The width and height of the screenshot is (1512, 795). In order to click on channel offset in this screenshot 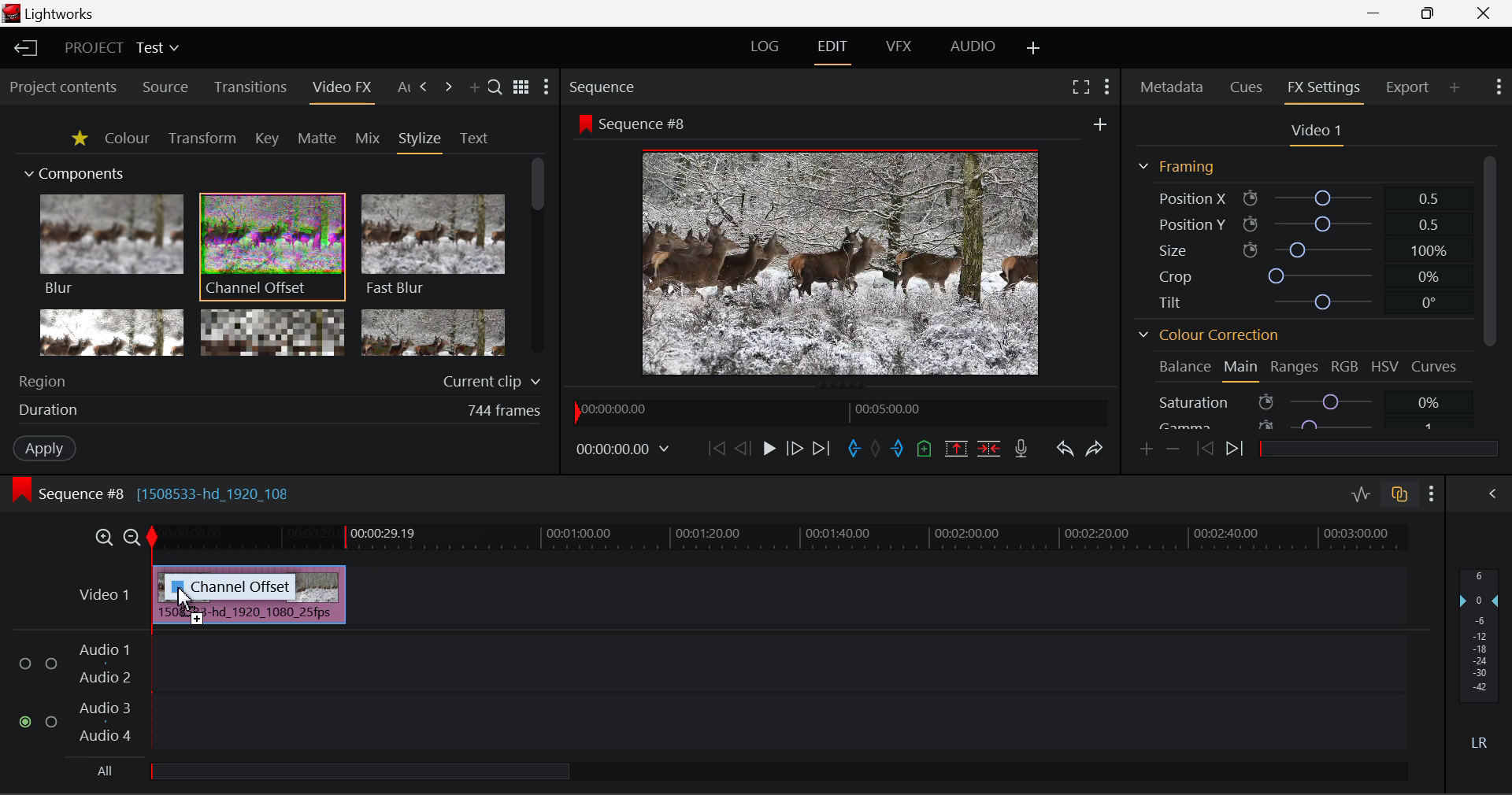, I will do `click(233, 585)`.